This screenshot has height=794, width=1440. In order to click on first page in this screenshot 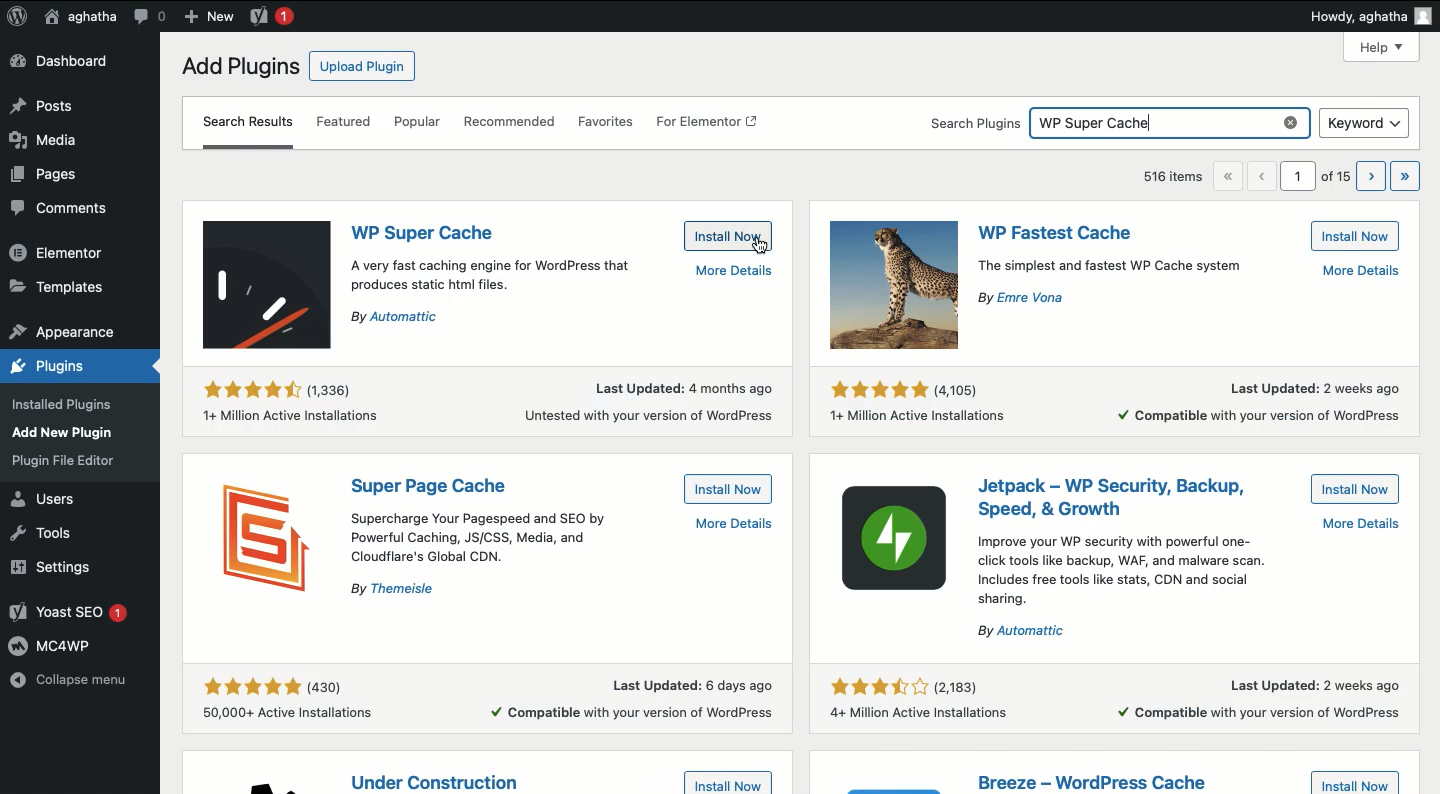, I will do `click(1225, 176)`.